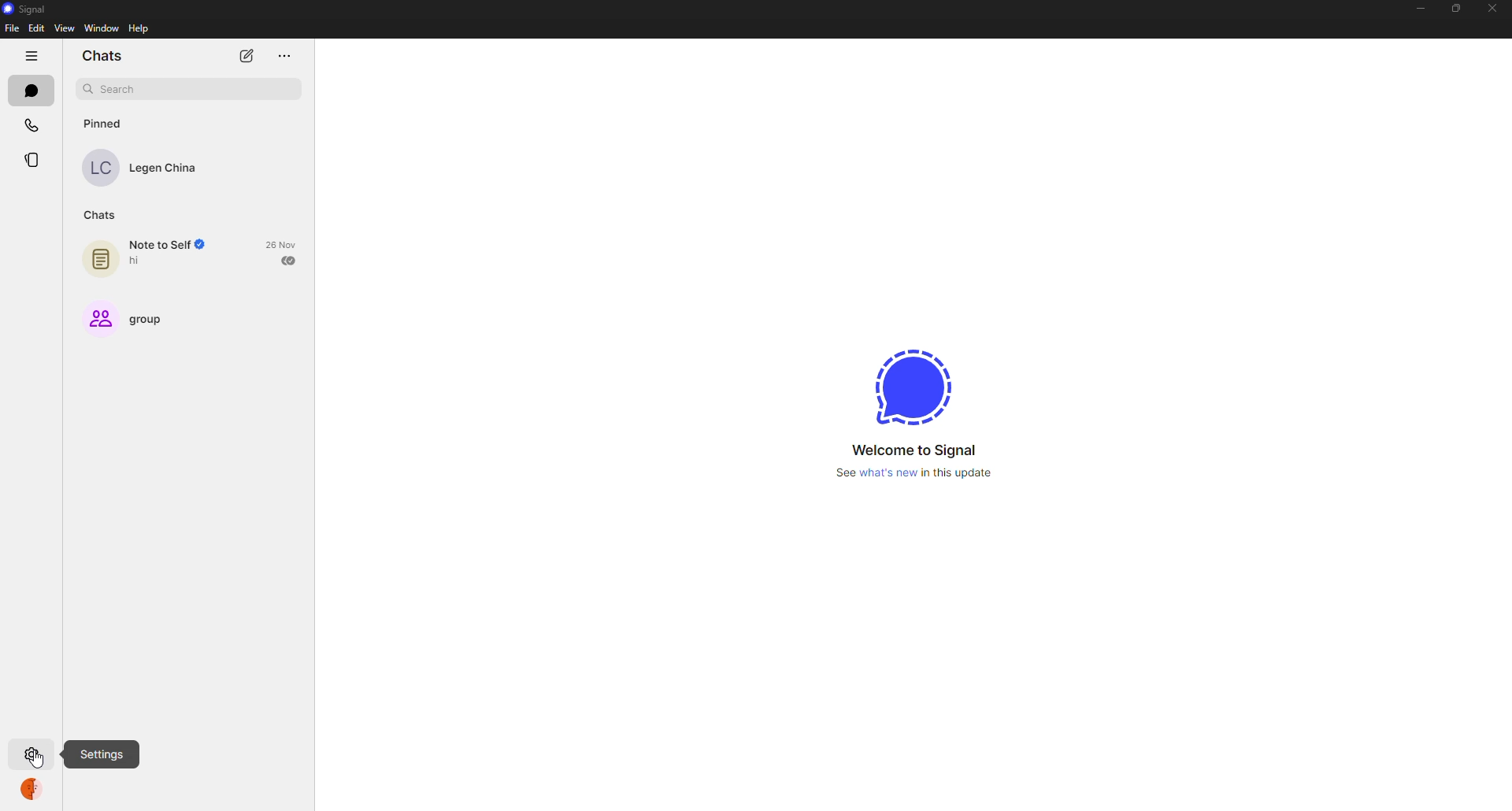 The width and height of the screenshot is (1512, 811). I want to click on profile, so click(33, 789).